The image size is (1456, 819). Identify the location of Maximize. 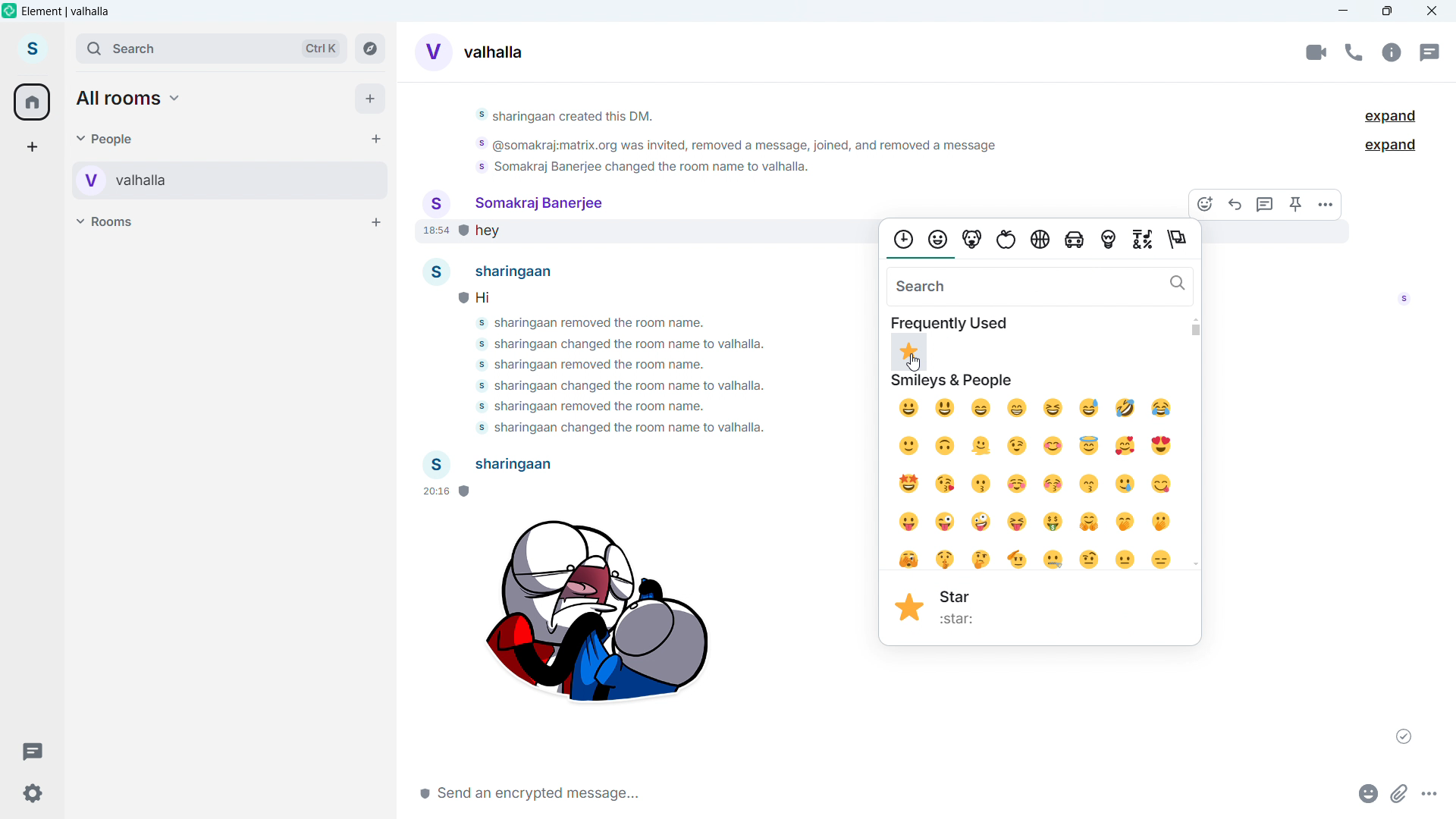
(1388, 11).